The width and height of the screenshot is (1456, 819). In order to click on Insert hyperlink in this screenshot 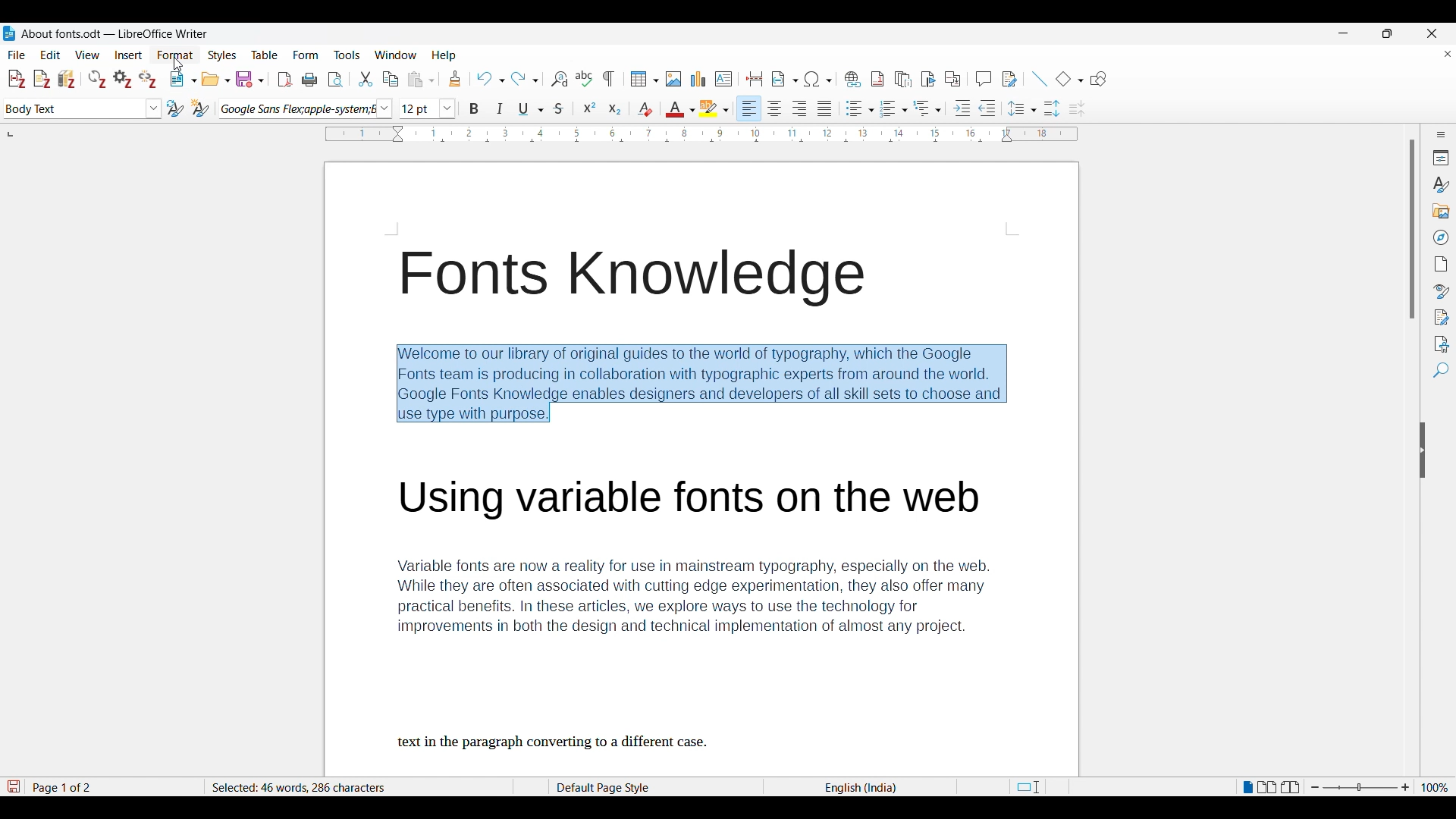, I will do `click(852, 79)`.